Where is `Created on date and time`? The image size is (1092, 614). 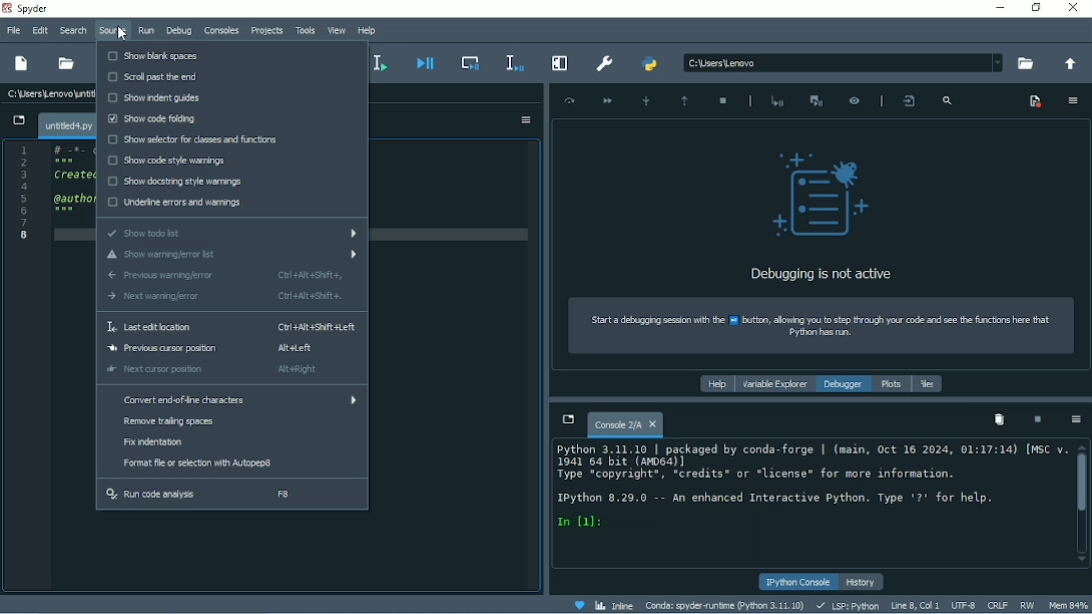
Created on date and time is located at coordinates (68, 176).